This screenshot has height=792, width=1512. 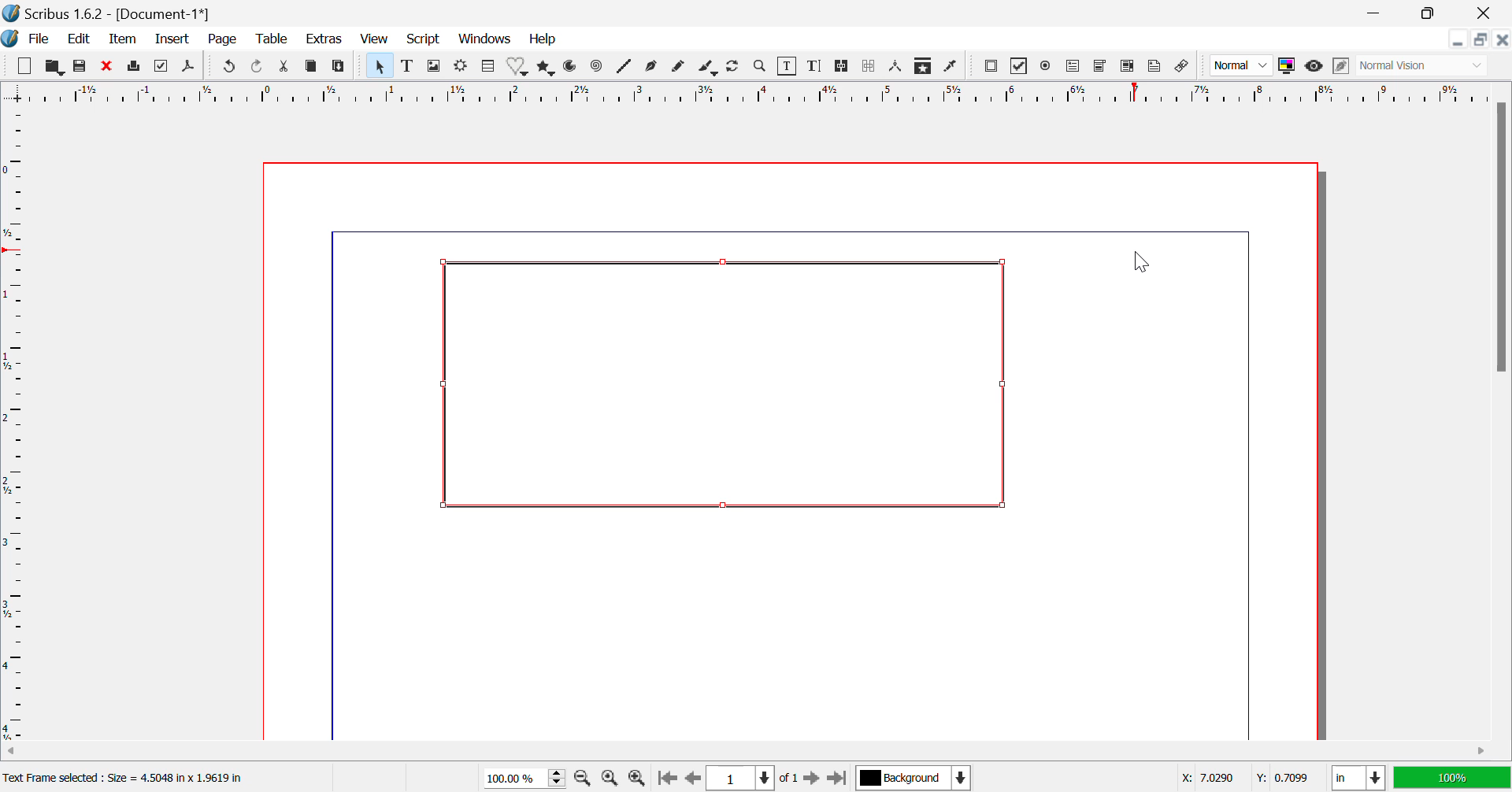 What do you see at coordinates (485, 39) in the screenshot?
I see `Windows` at bounding box center [485, 39].